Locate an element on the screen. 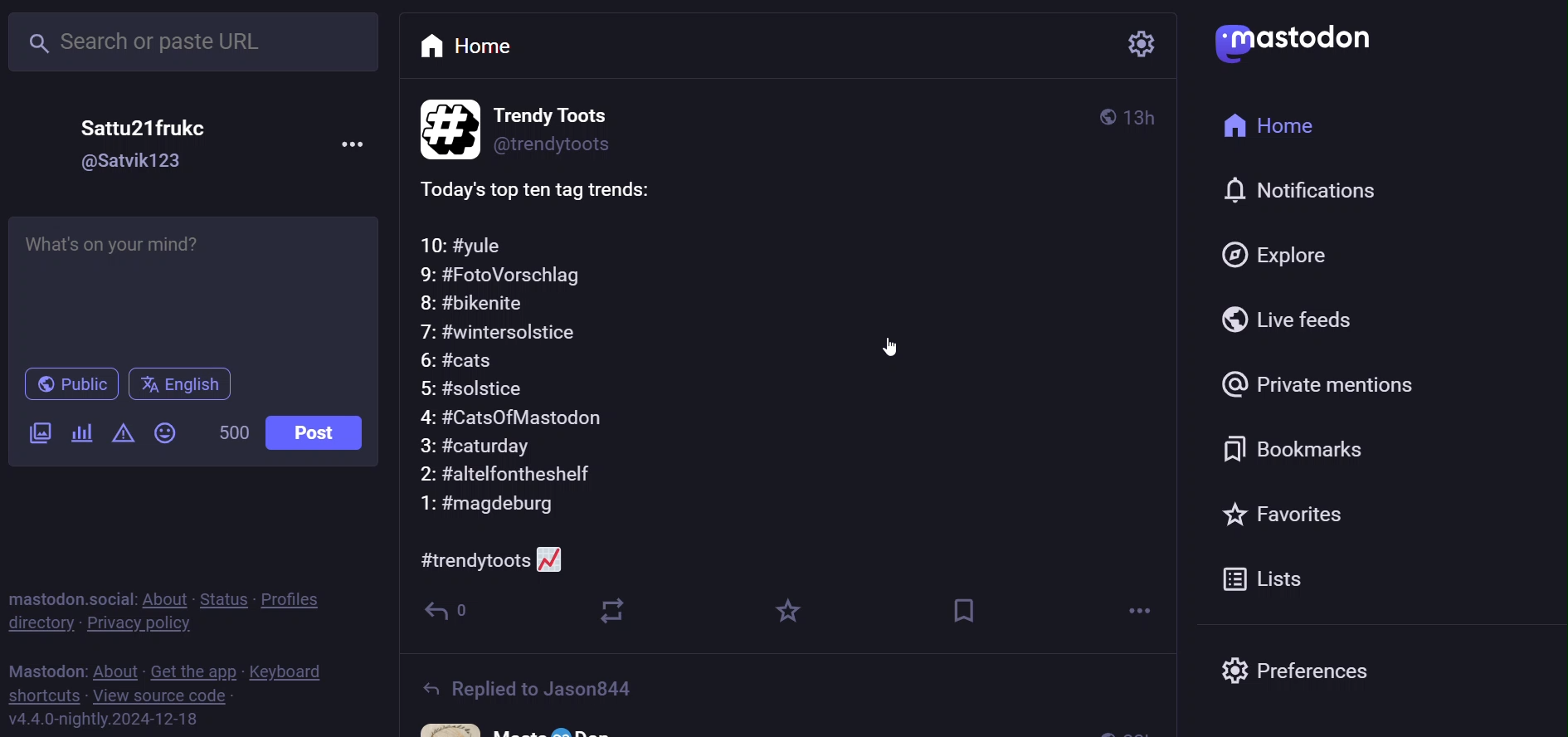  privacy policy is located at coordinates (140, 622).